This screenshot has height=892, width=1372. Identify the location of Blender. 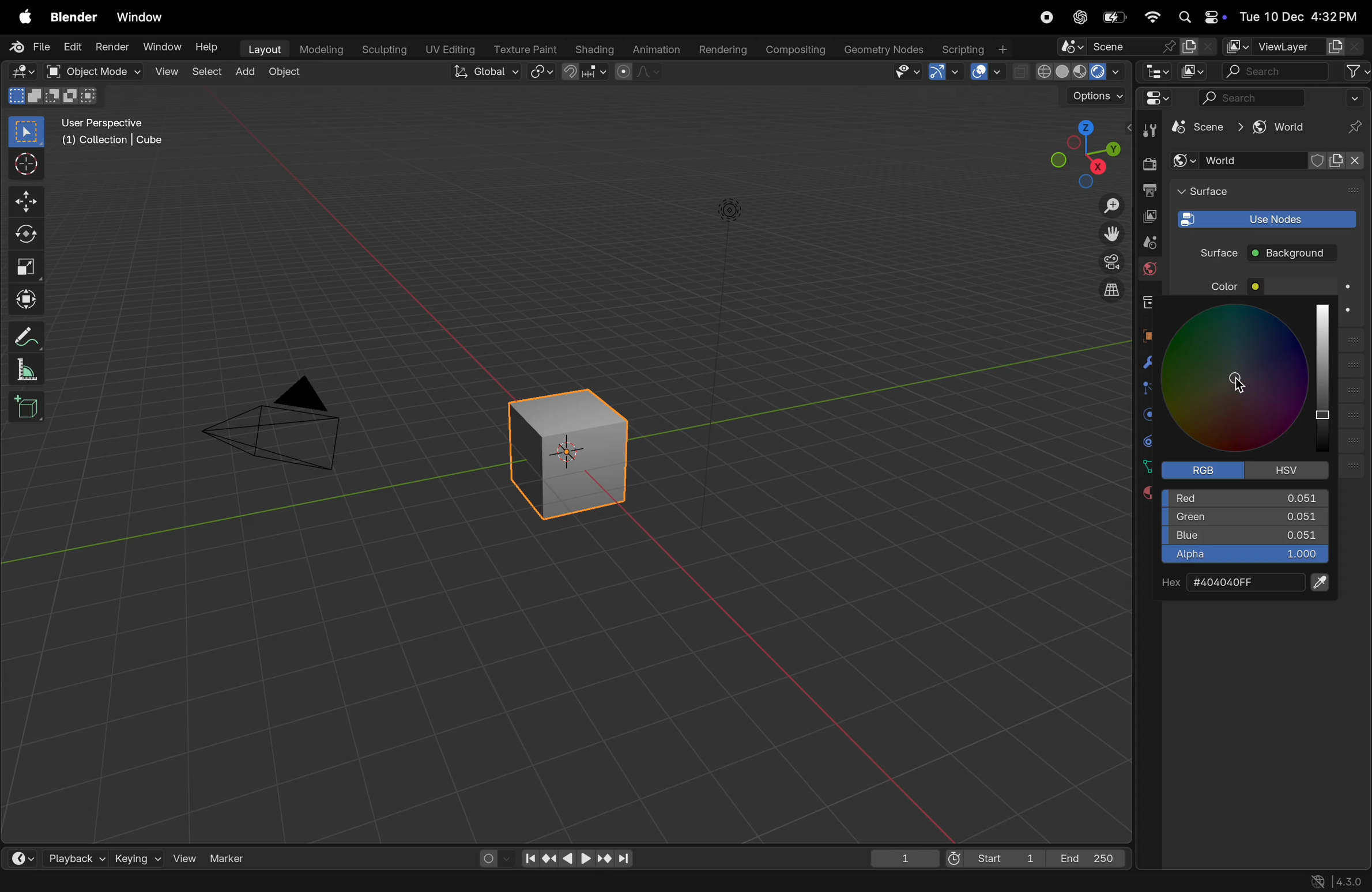
(73, 16).